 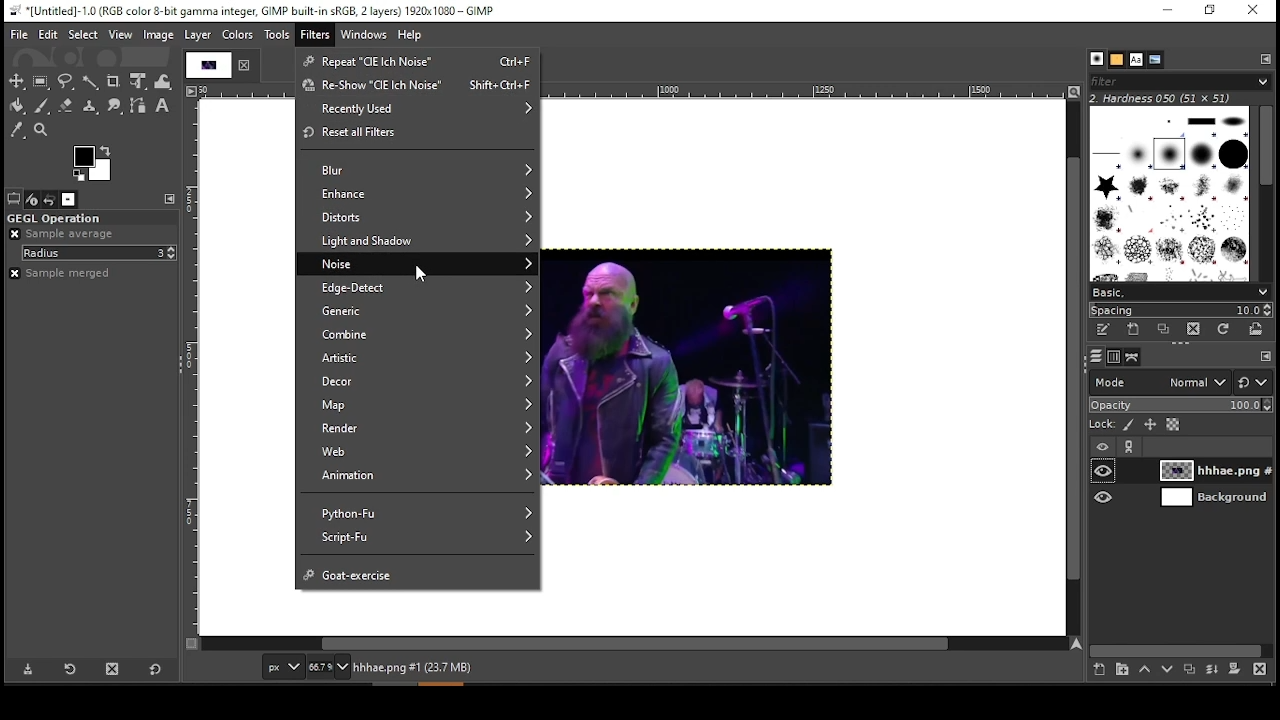 I want to click on new layer, so click(x=1097, y=672).